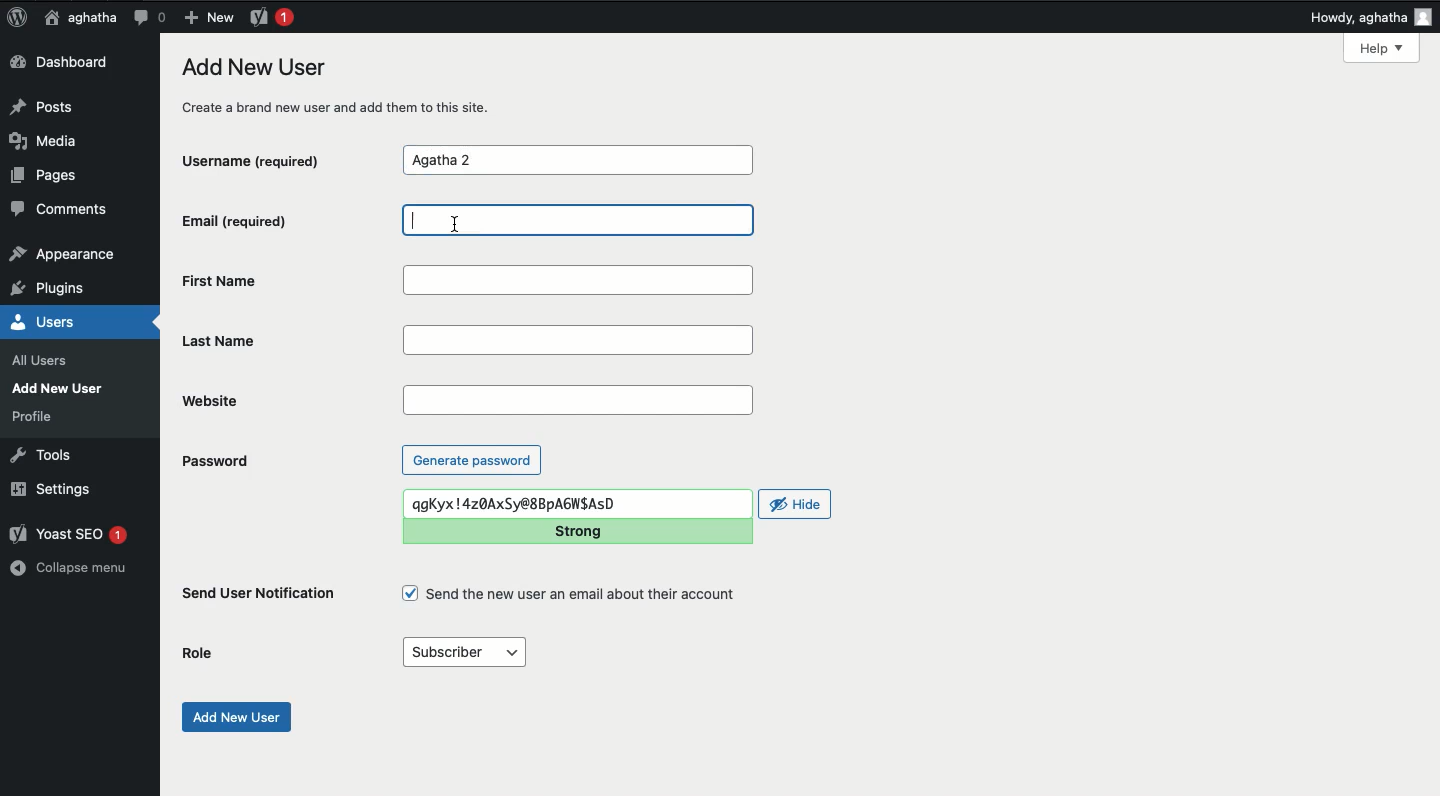 The width and height of the screenshot is (1440, 796). Describe the element at coordinates (1381, 48) in the screenshot. I see `Help` at that location.